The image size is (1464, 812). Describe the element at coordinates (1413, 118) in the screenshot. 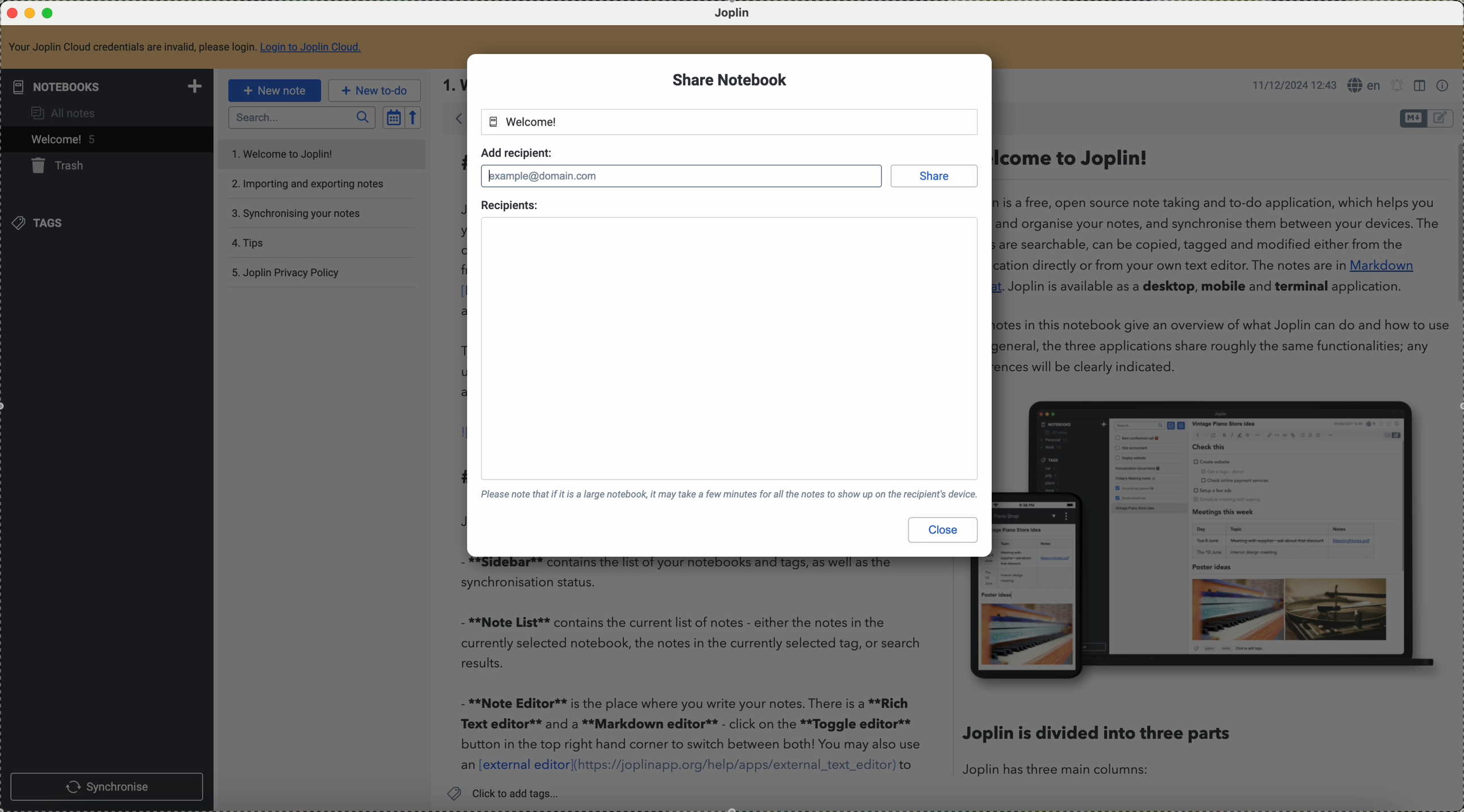

I see `toggle editor` at that location.